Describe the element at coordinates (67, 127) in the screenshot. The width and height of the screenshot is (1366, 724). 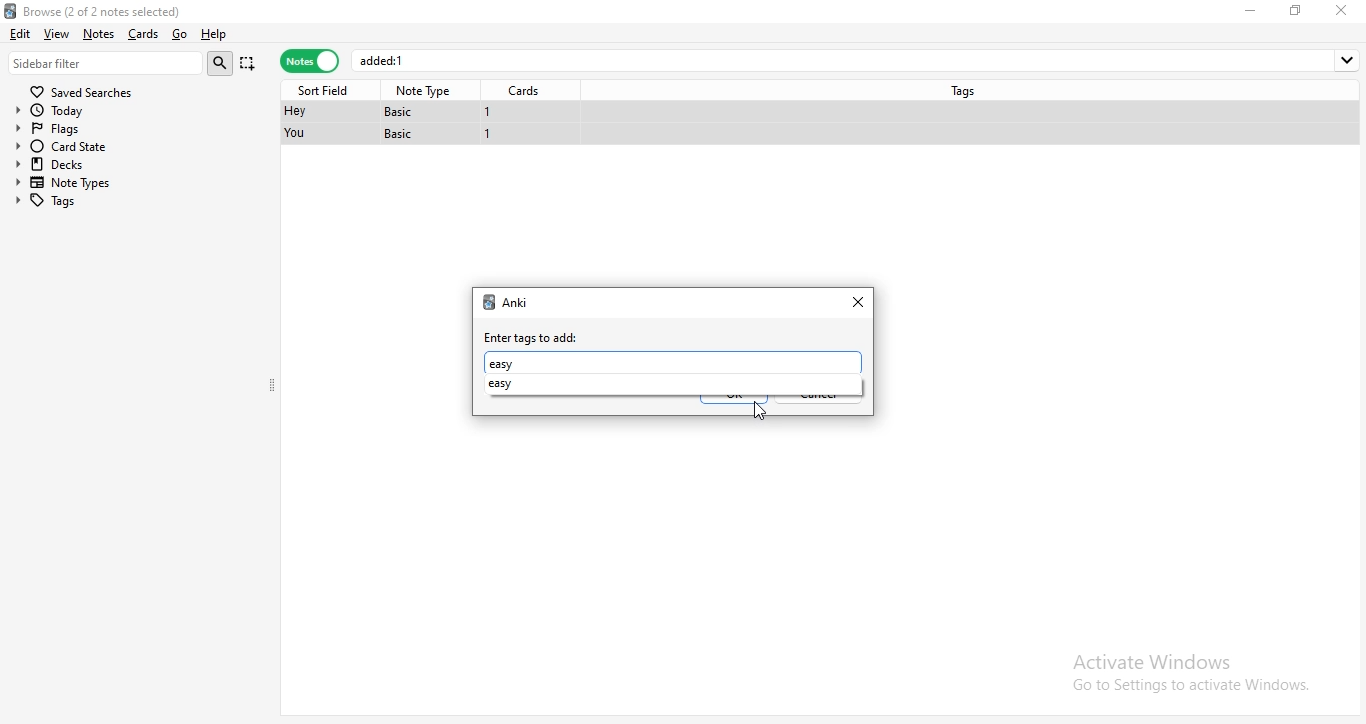
I see `flags` at that location.